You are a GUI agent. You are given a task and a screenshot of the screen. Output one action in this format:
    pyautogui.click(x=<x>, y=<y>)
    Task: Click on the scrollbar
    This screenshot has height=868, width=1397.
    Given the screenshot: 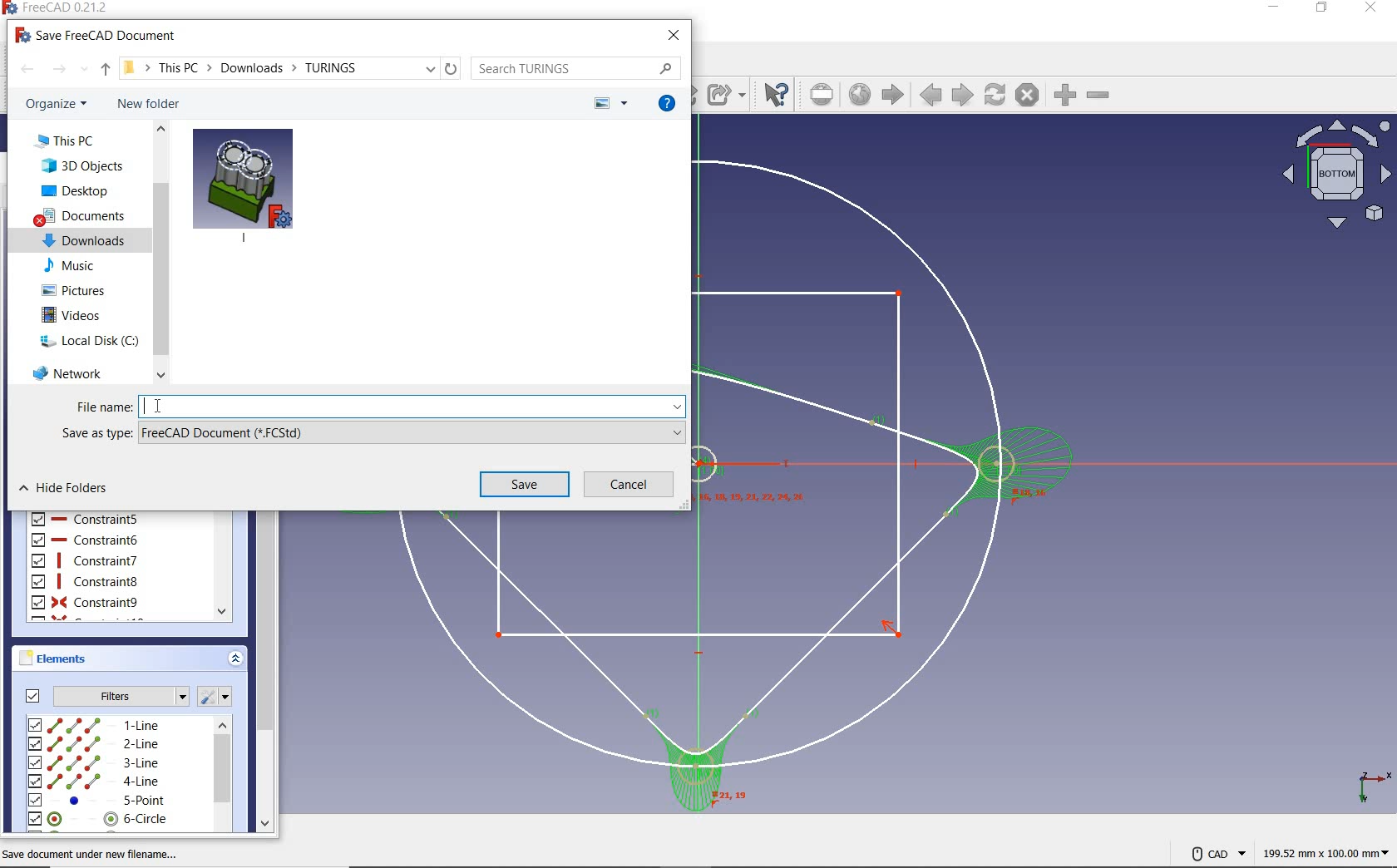 What is the action you would take?
    pyautogui.click(x=222, y=776)
    